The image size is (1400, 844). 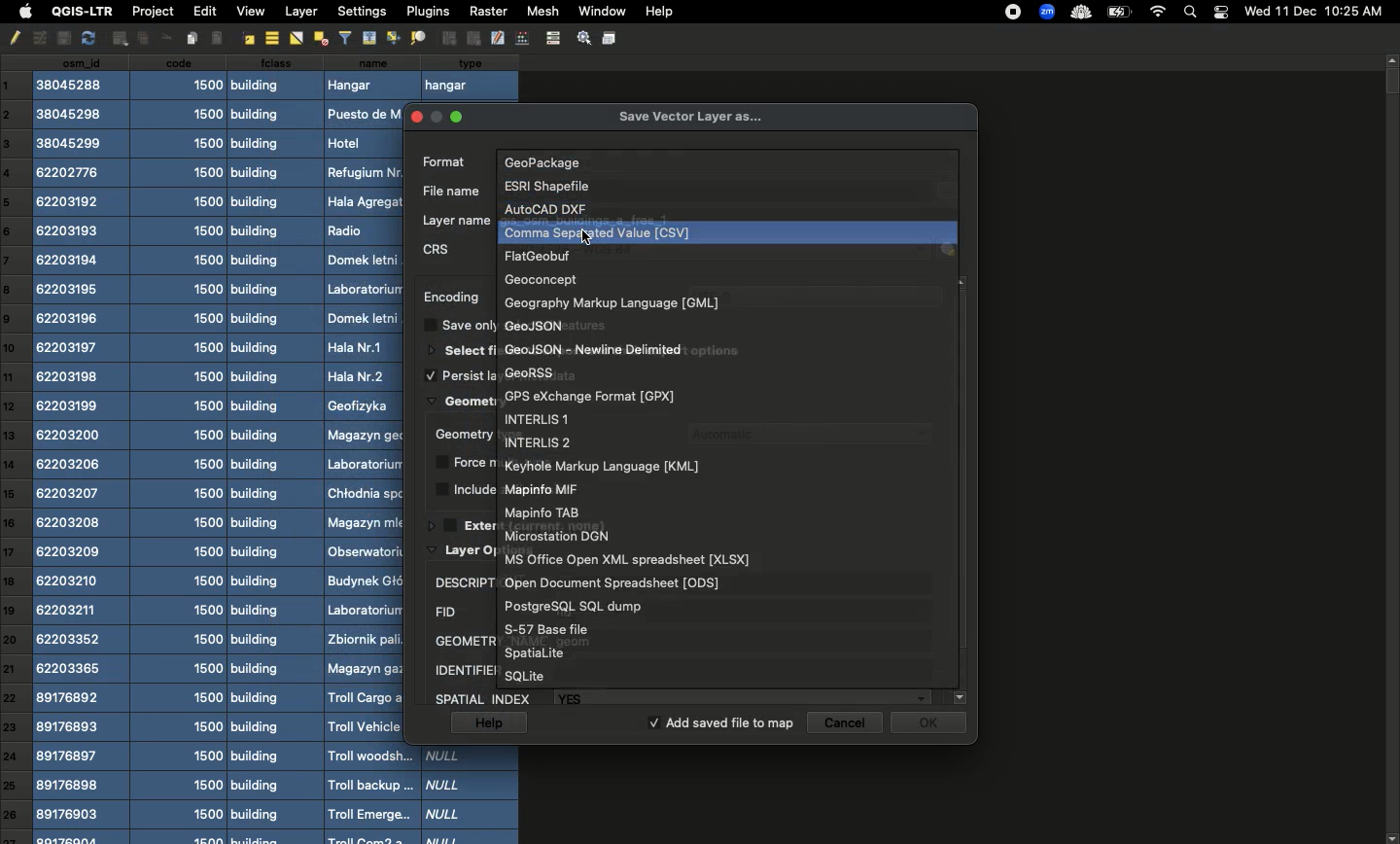 What do you see at coordinates (87, 38) in the screenshot?
I see `redo` at bounding box center [87, 38].